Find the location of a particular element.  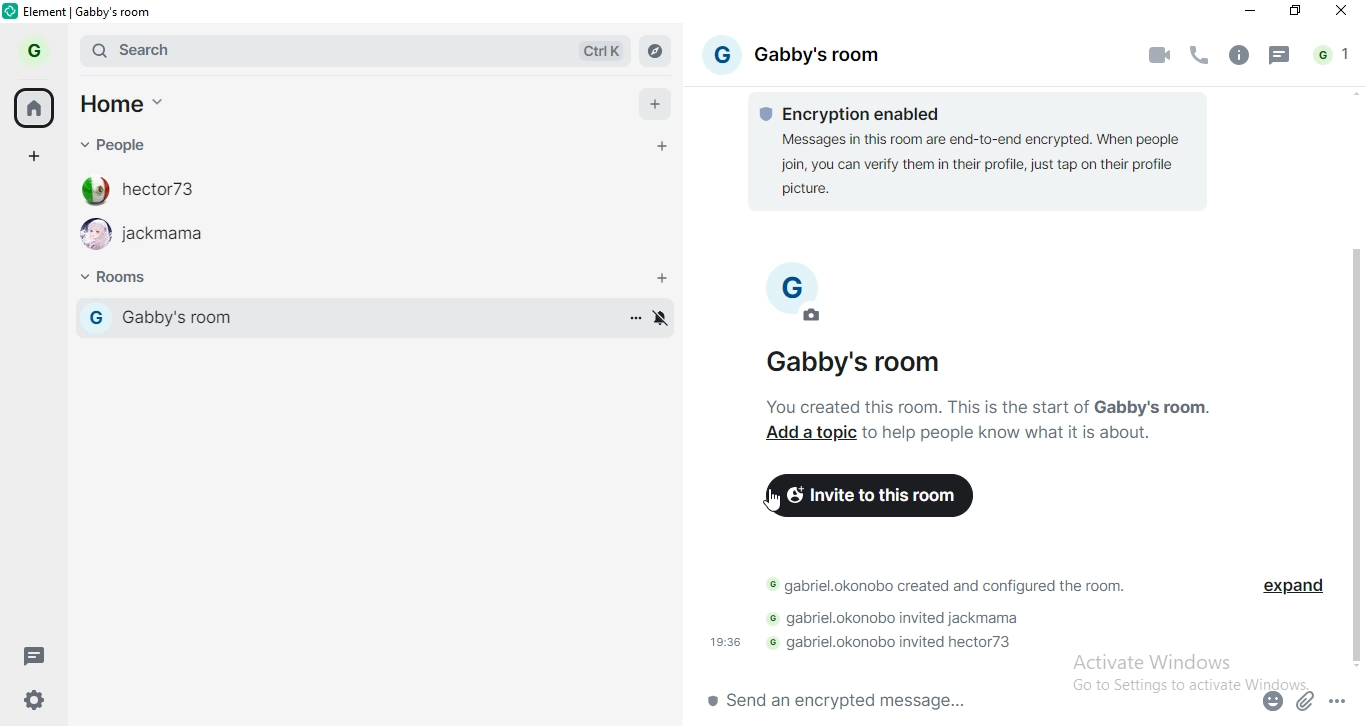

invite to this room is located at coordinates (869, 496).